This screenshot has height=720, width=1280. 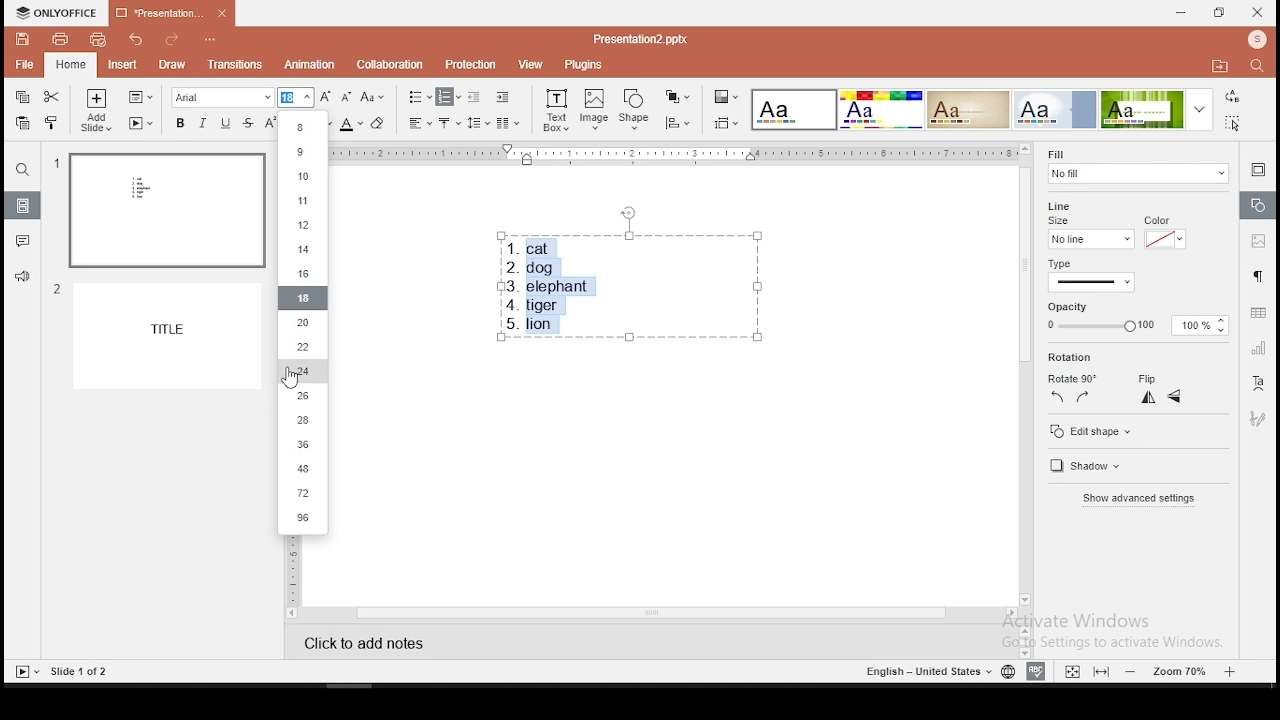 I want to click on numbered list, so click(x=449, y=96).